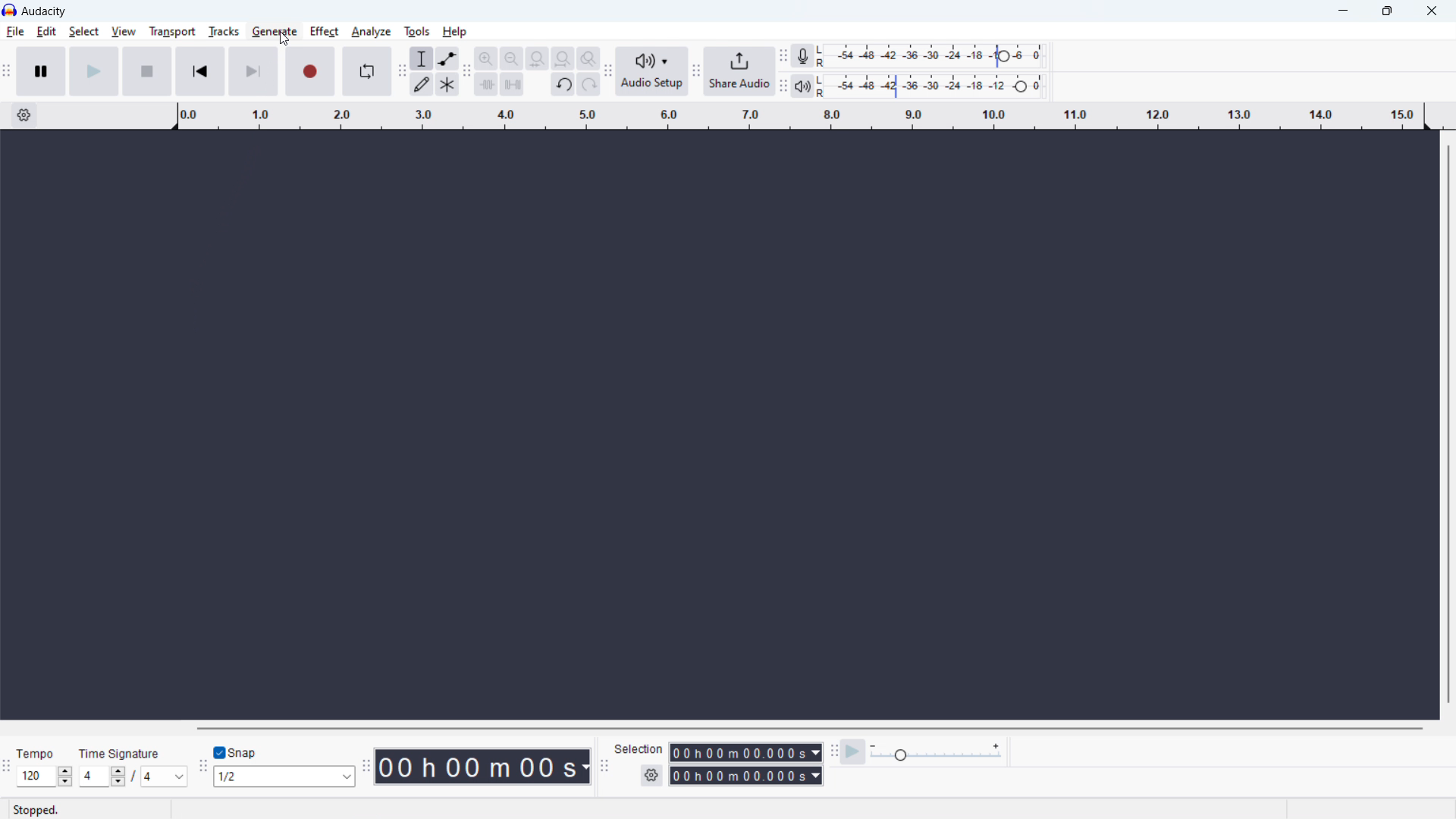 This screenshot has width=1456, height=819. Describe the element at coordinates (652, 72) in the screenshot. I see `audio setup ` at that location.